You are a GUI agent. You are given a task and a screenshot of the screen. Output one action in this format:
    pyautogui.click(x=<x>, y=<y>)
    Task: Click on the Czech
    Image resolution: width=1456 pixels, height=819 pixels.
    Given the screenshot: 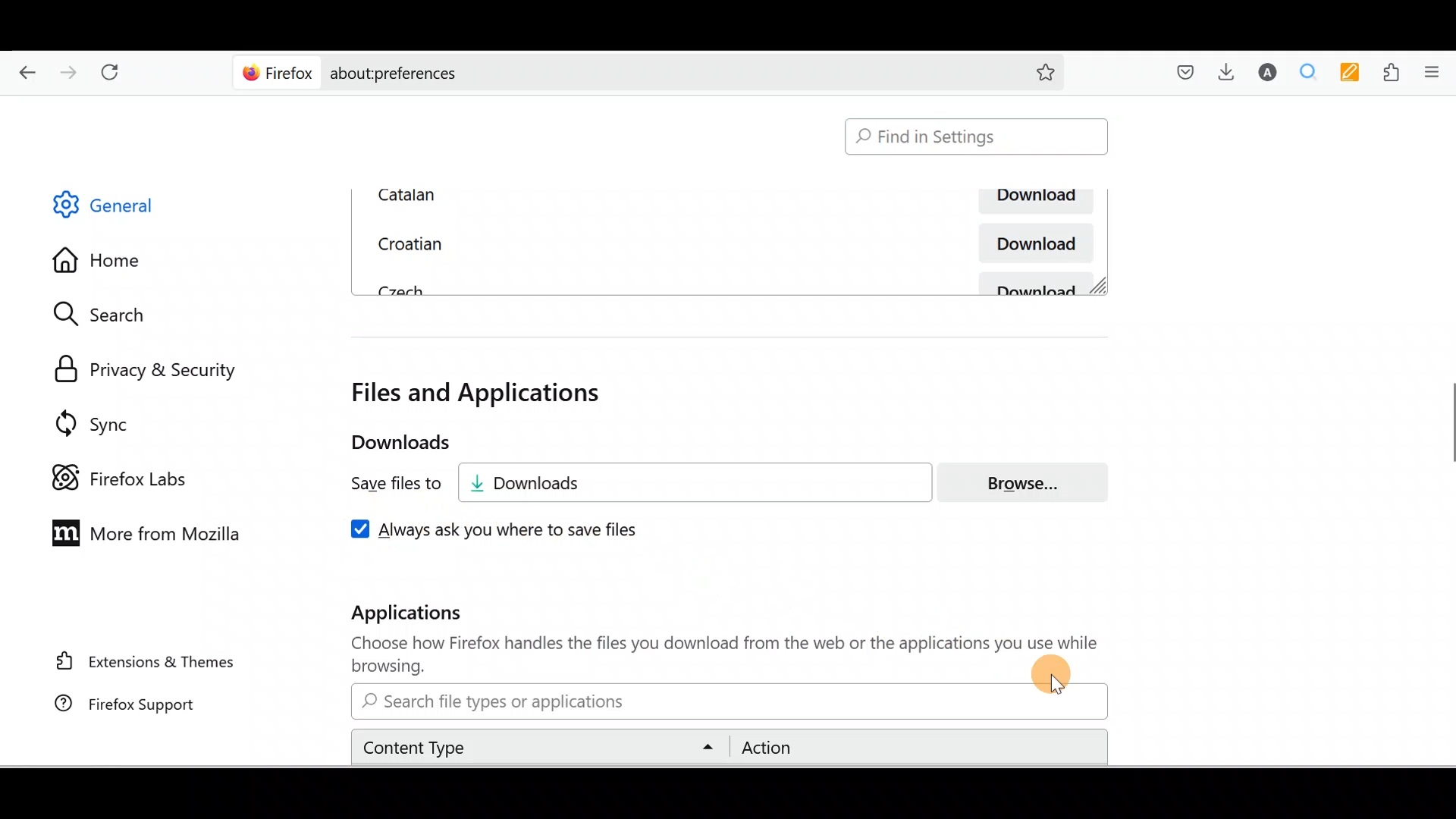 What is the action you would take?
    pyautogui.click(x=397, y=288)
    